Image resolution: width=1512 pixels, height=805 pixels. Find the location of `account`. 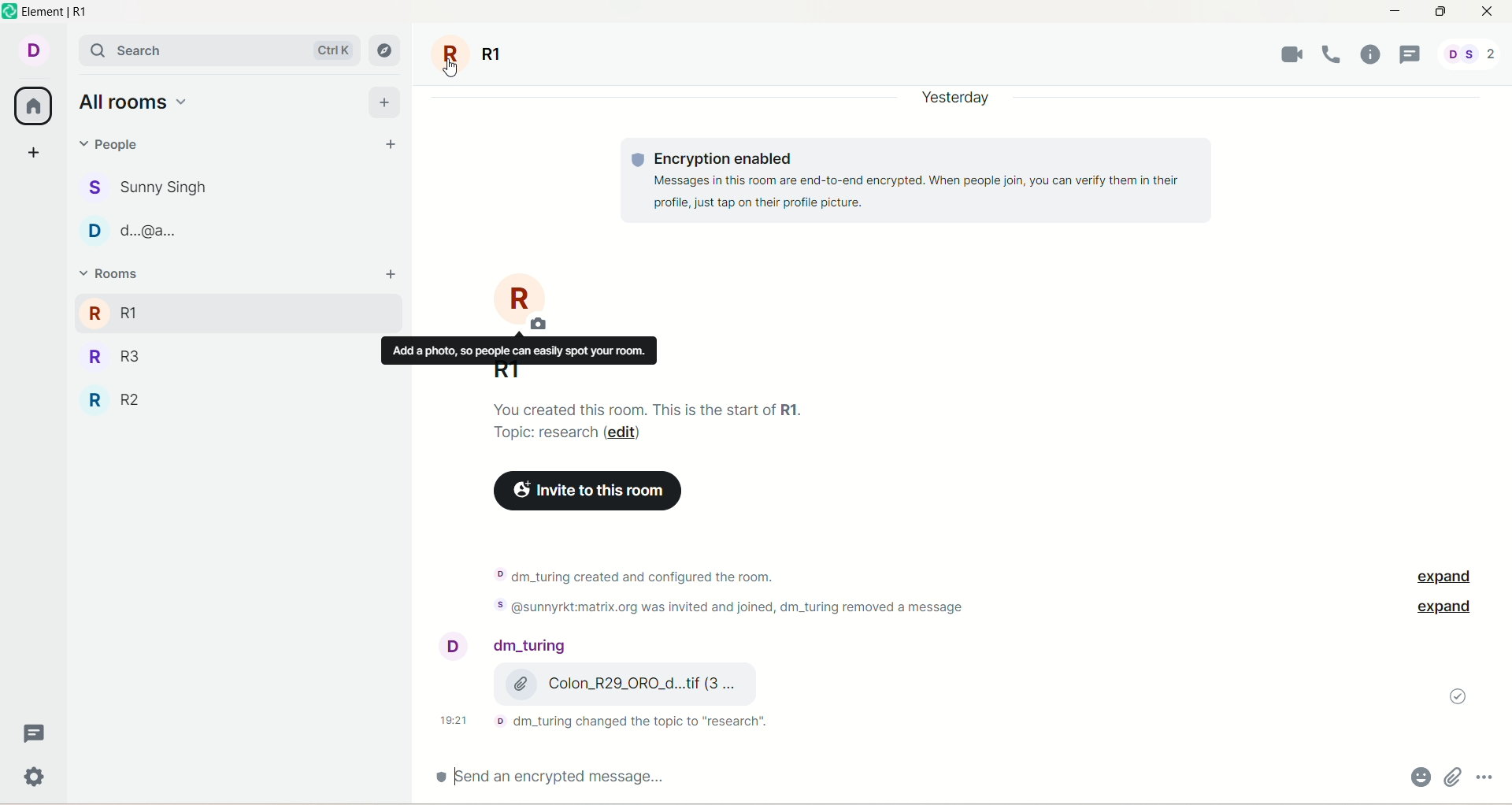

account is located at coordinates (498, 644).